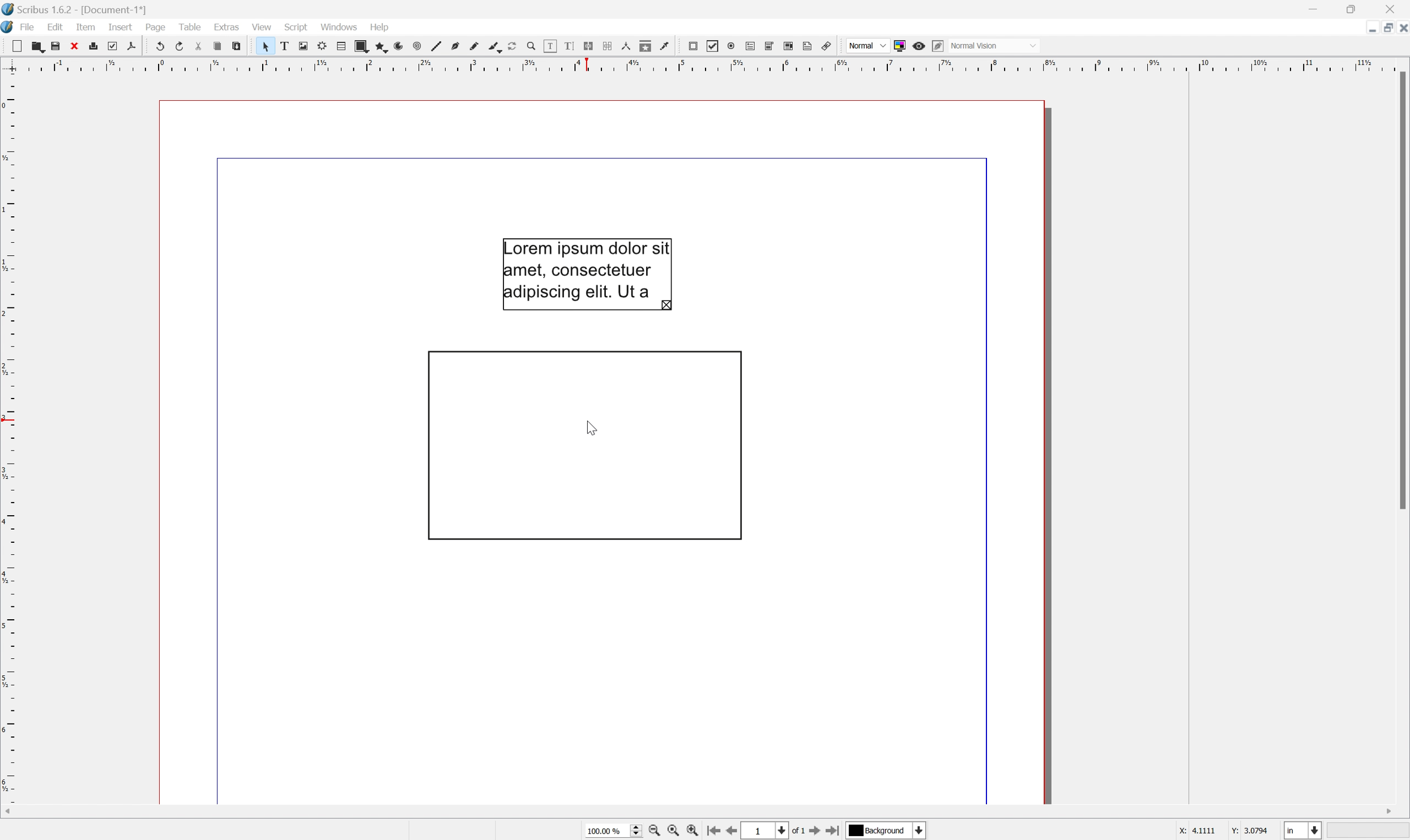 The height and width of the screenshot is (840, 1410). Describe the element at coordinates (836, 831) in the screenshot. I see `Go to the last page` at that location.